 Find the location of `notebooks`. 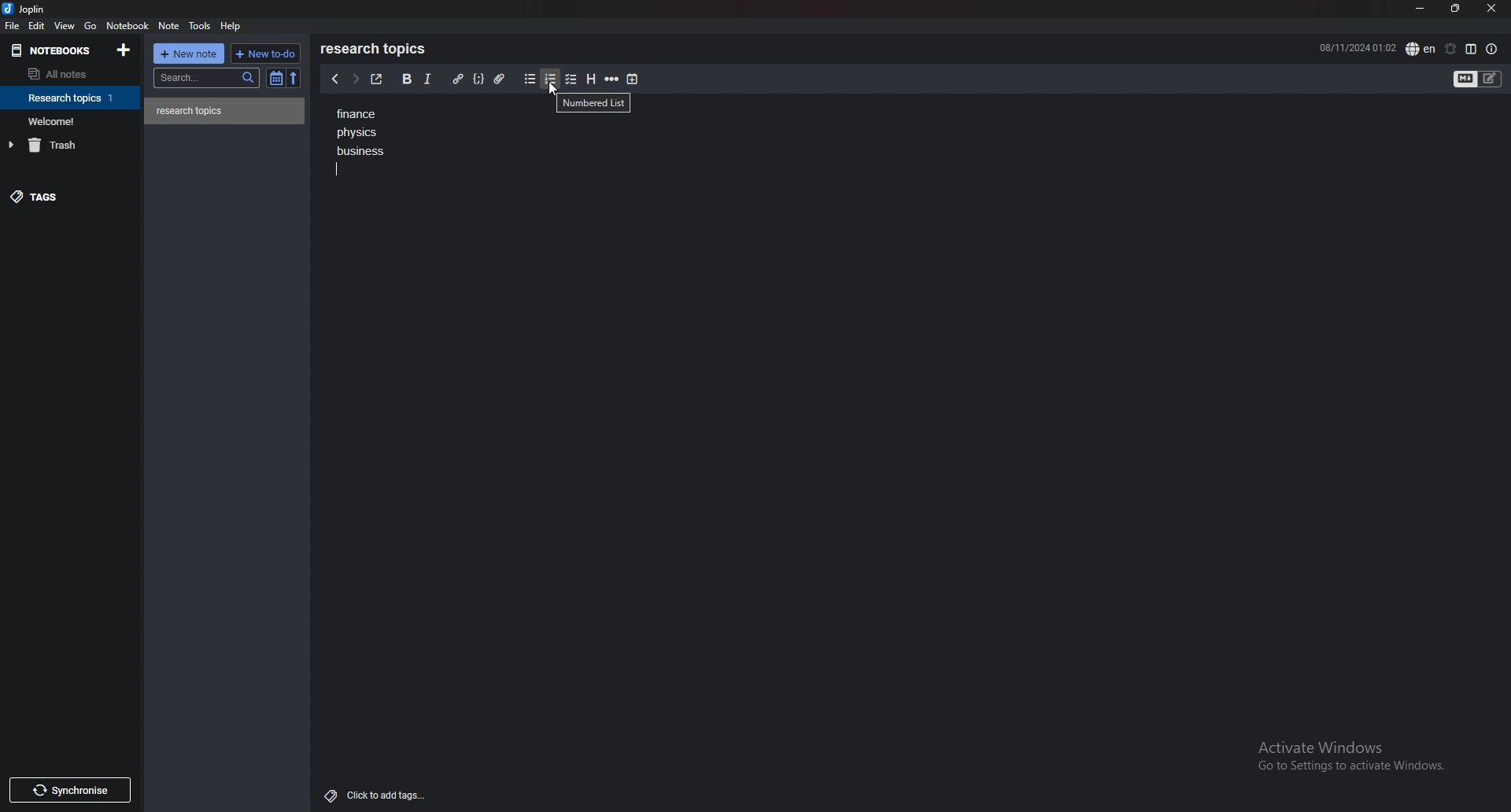

notebooks is located at coordinates (54, 50).